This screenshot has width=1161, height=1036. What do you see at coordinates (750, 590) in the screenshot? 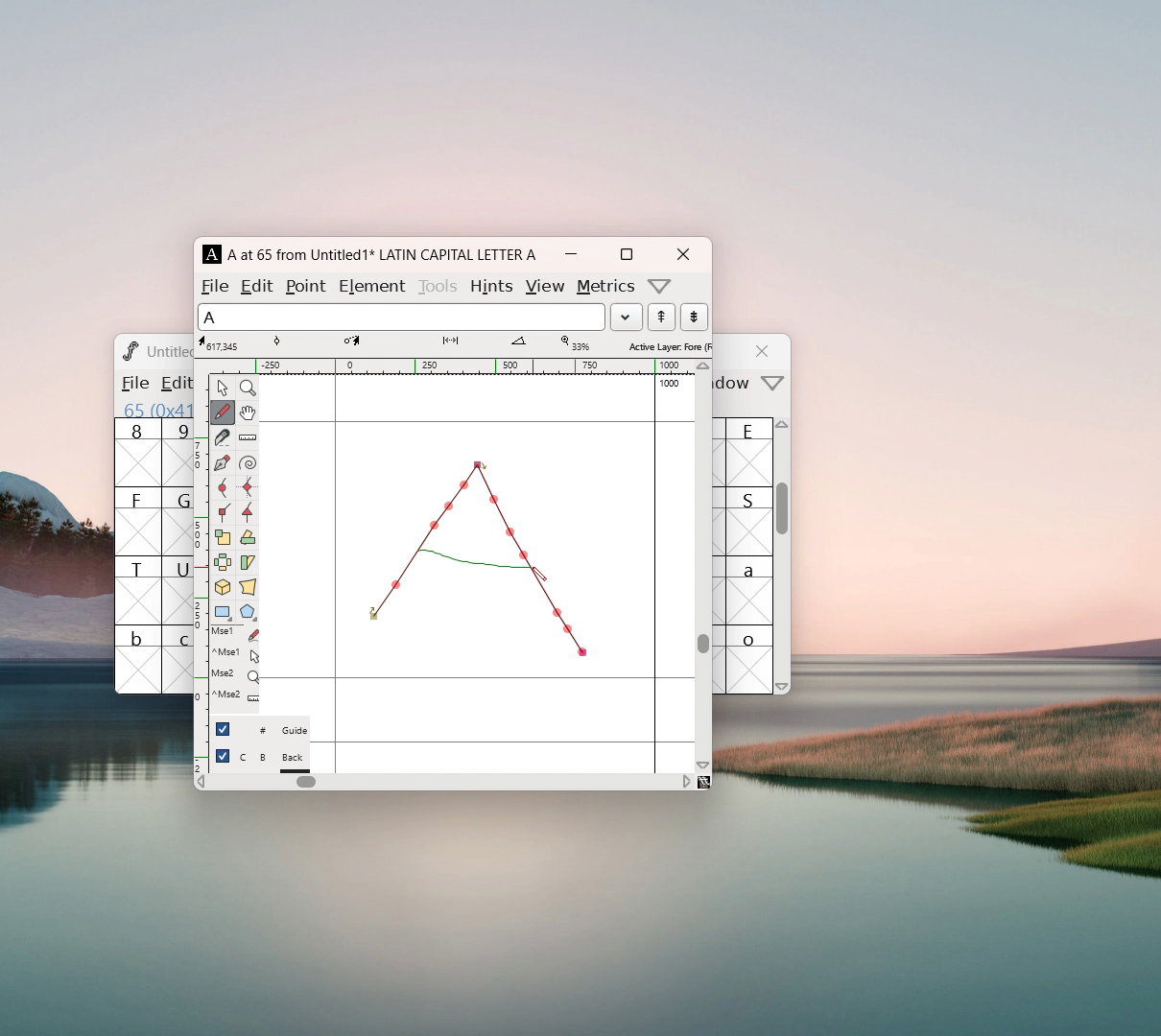
I see `a` at bounding box center [750, 590].